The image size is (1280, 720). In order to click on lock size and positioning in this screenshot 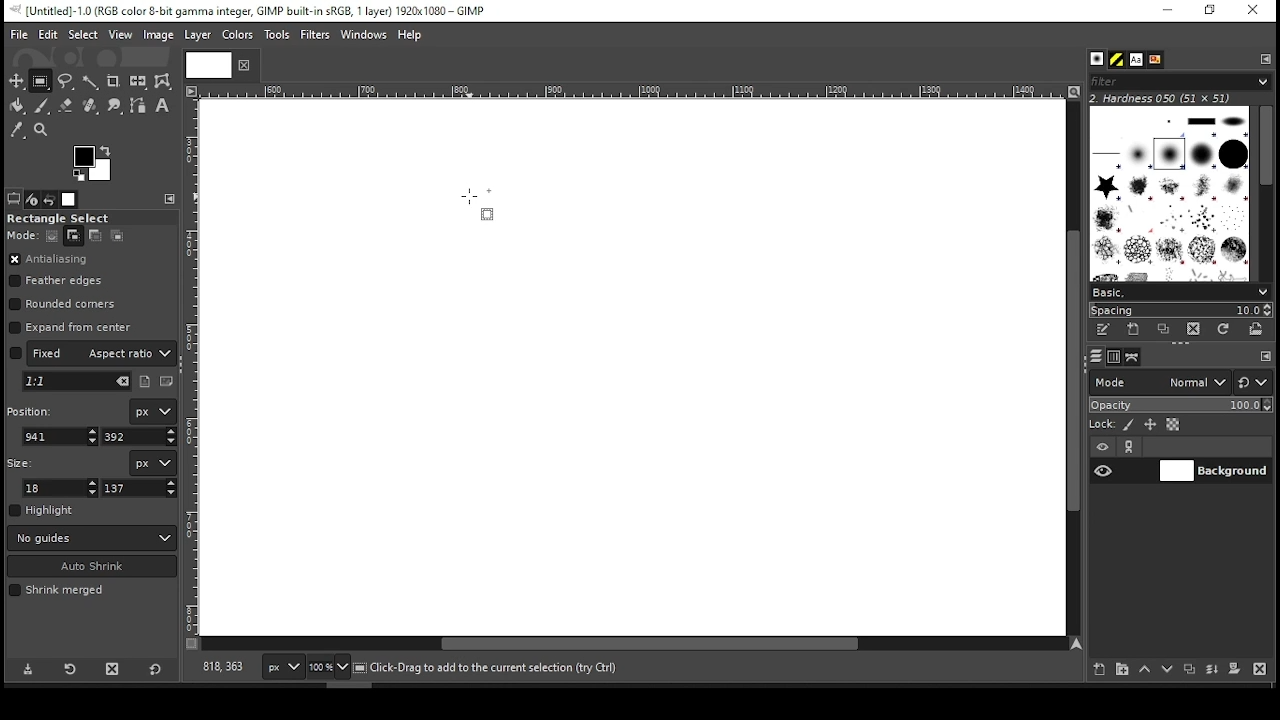, I will do `click(1152, 425)`.